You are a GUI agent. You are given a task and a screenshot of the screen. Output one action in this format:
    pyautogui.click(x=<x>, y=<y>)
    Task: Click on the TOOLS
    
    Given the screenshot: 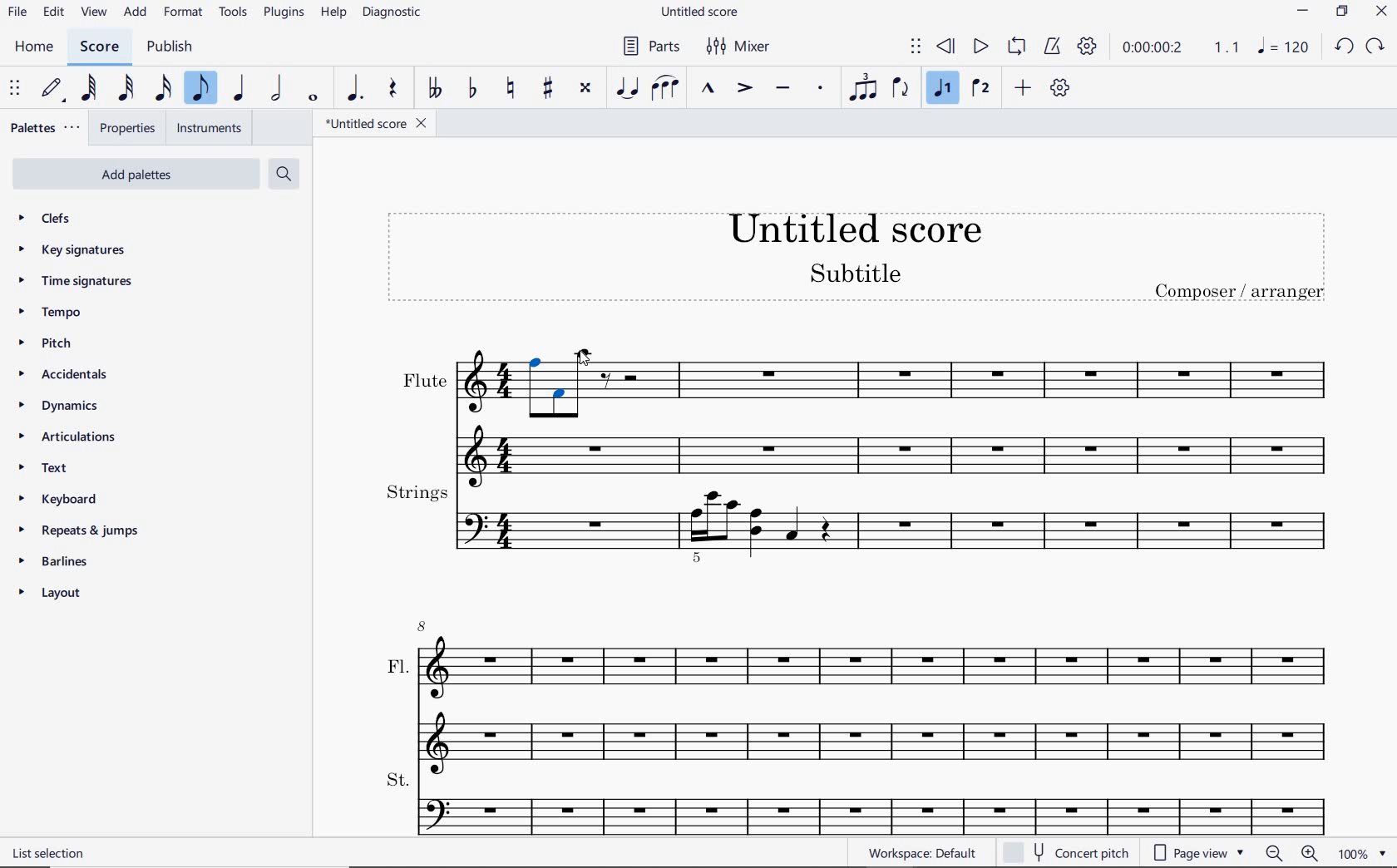 What is the action you would take?
    pyautogui.click(x=234, y=13)
    